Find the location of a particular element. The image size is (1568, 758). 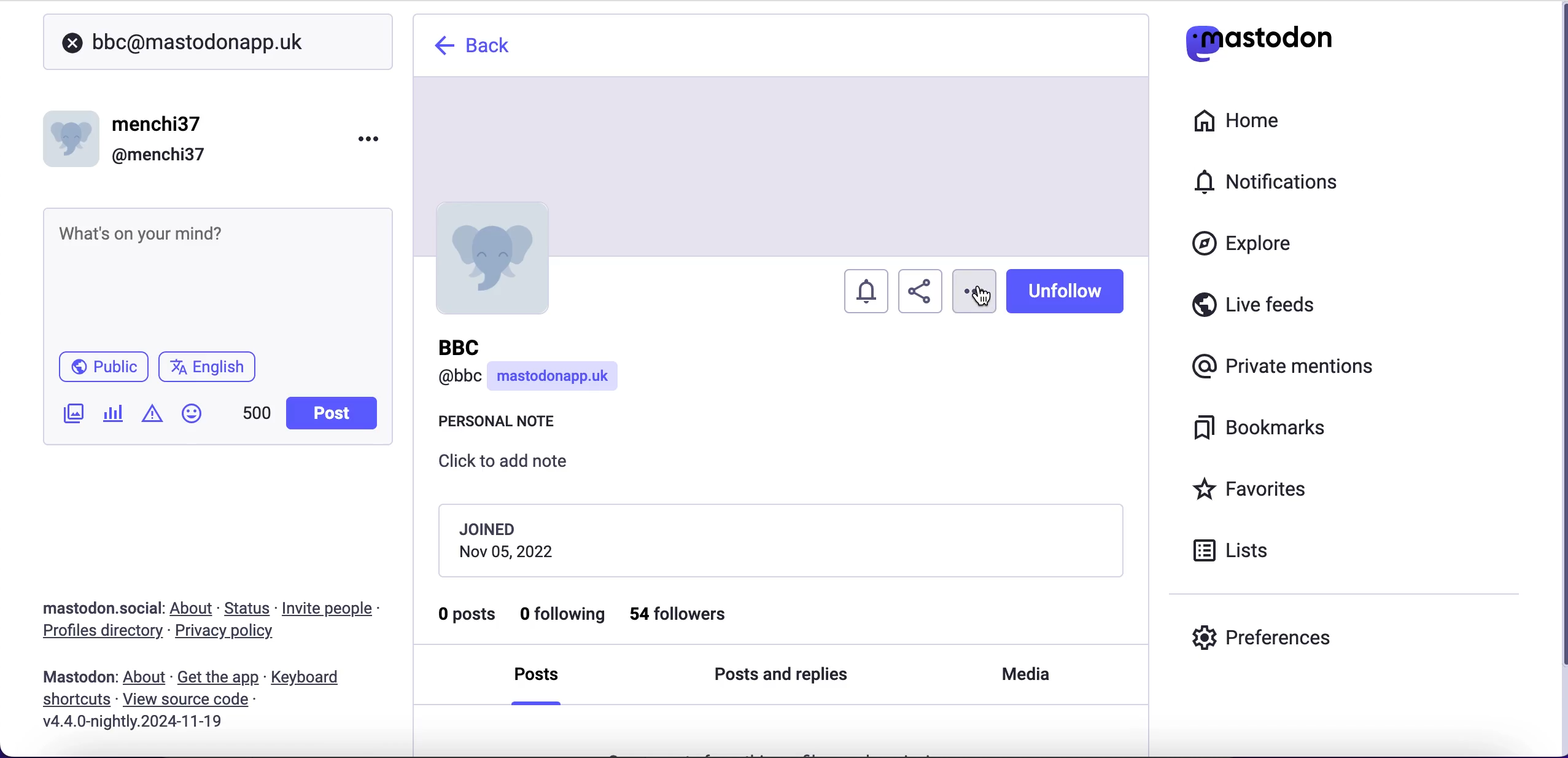

post button is located at coordinates (335, 413).